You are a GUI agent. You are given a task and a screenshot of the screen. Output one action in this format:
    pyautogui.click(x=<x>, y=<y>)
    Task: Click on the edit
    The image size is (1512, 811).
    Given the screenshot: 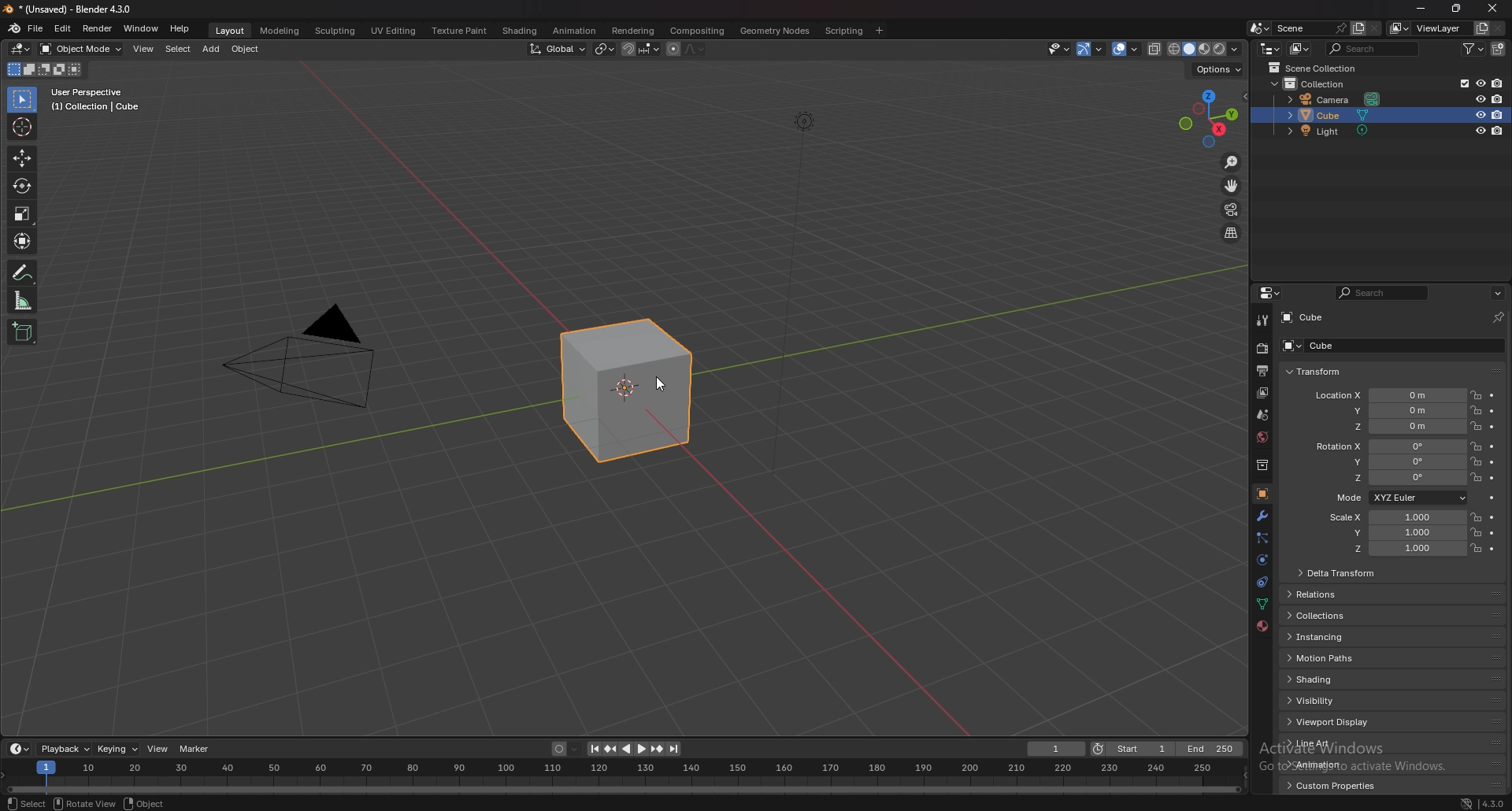 What is the action you would take?
    pyautogui.click(x=63, y=29)
    